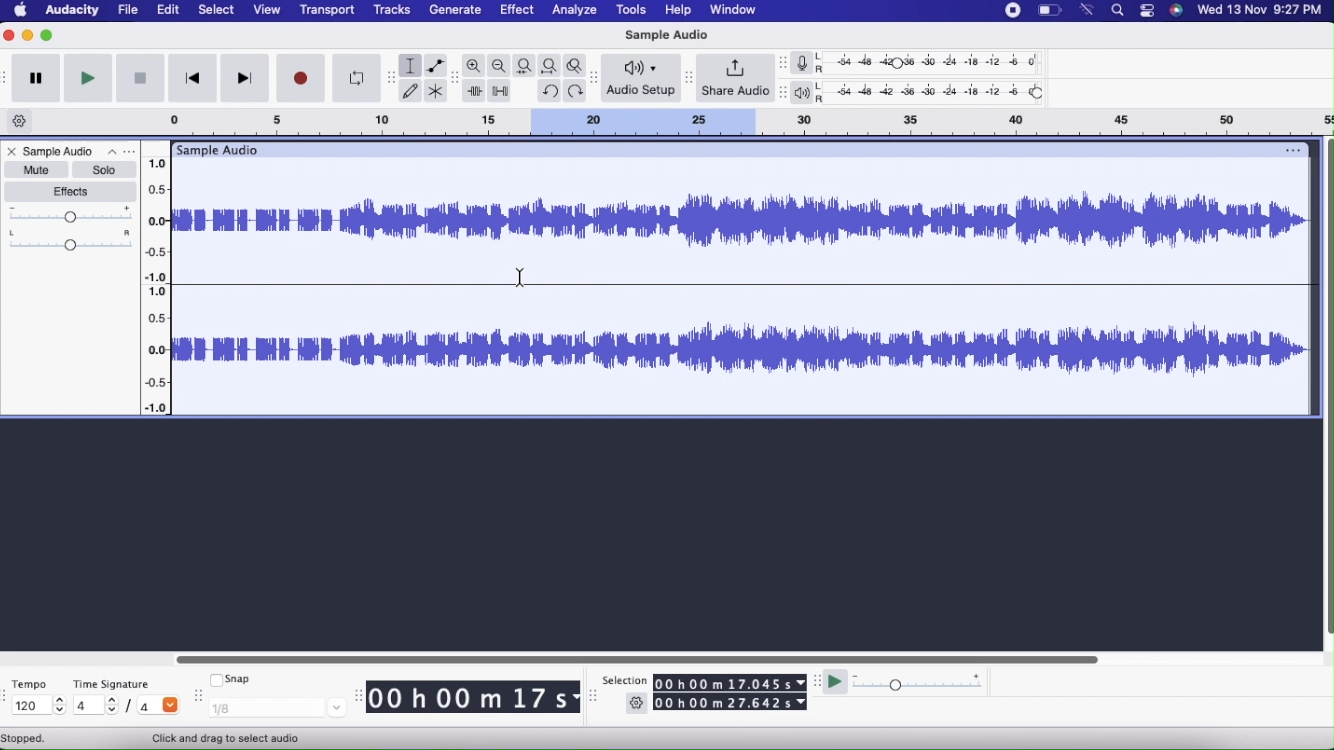 This screenshot has height=750, width=1334. Describe the element at coordinates (637, 705) in the screenshot. I see `Settings` at that location.